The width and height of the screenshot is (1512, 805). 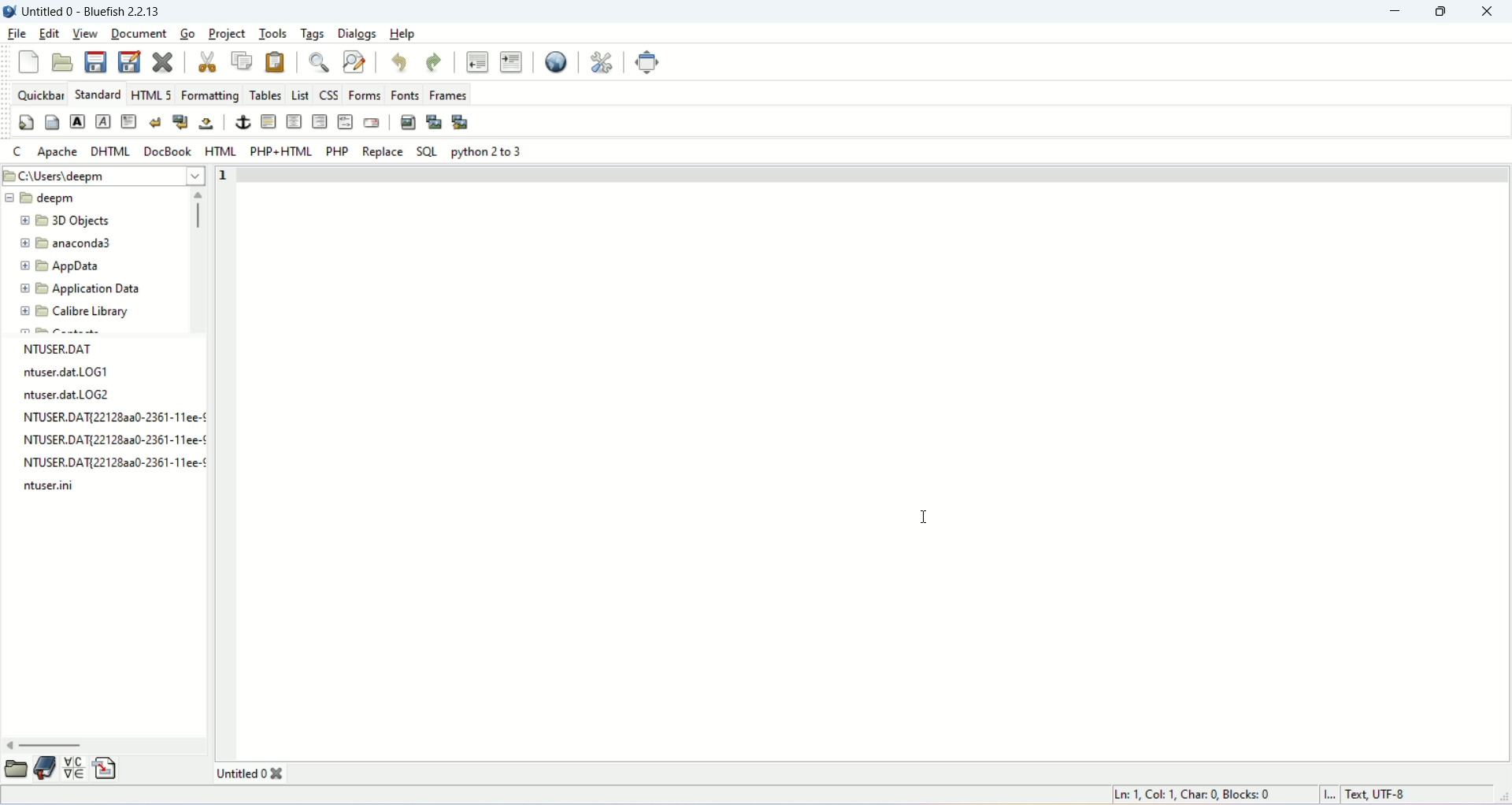 What do you see at coordinates (28, 62) in the screenshot?
I see `new` at bounding box center [28, 62].